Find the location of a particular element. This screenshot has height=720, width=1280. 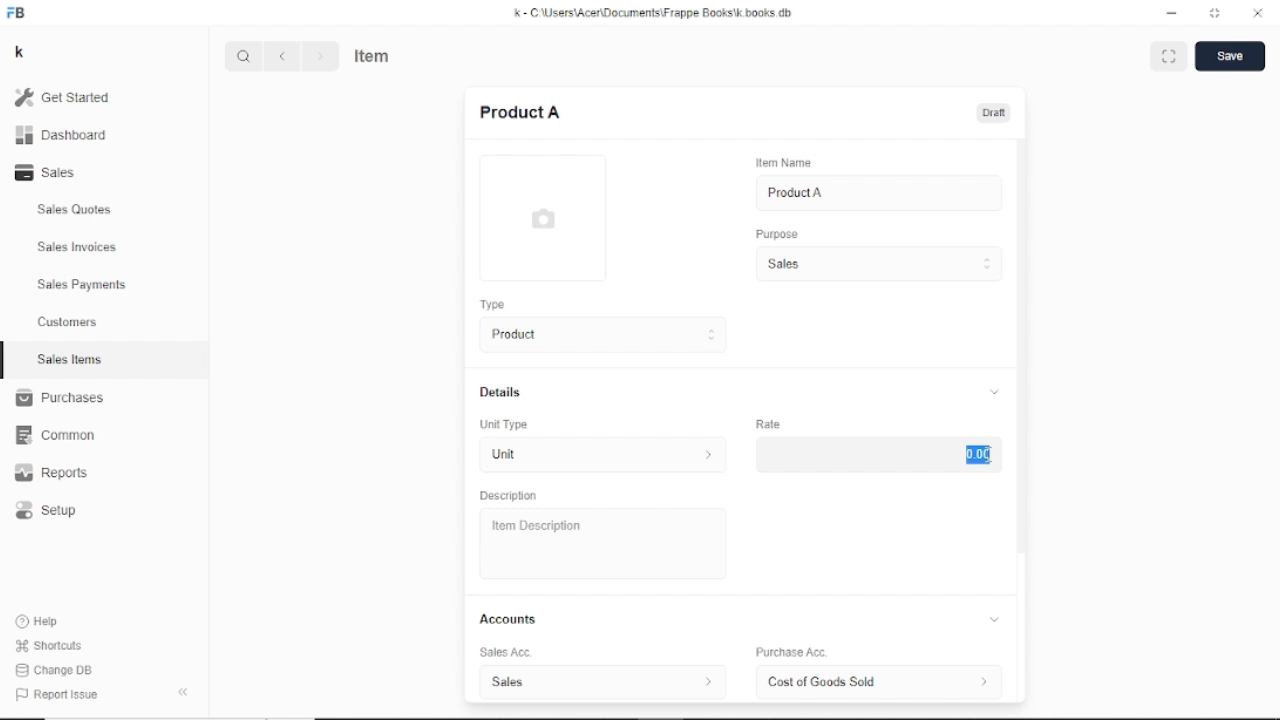

Product is located at coordinates (598, 335).